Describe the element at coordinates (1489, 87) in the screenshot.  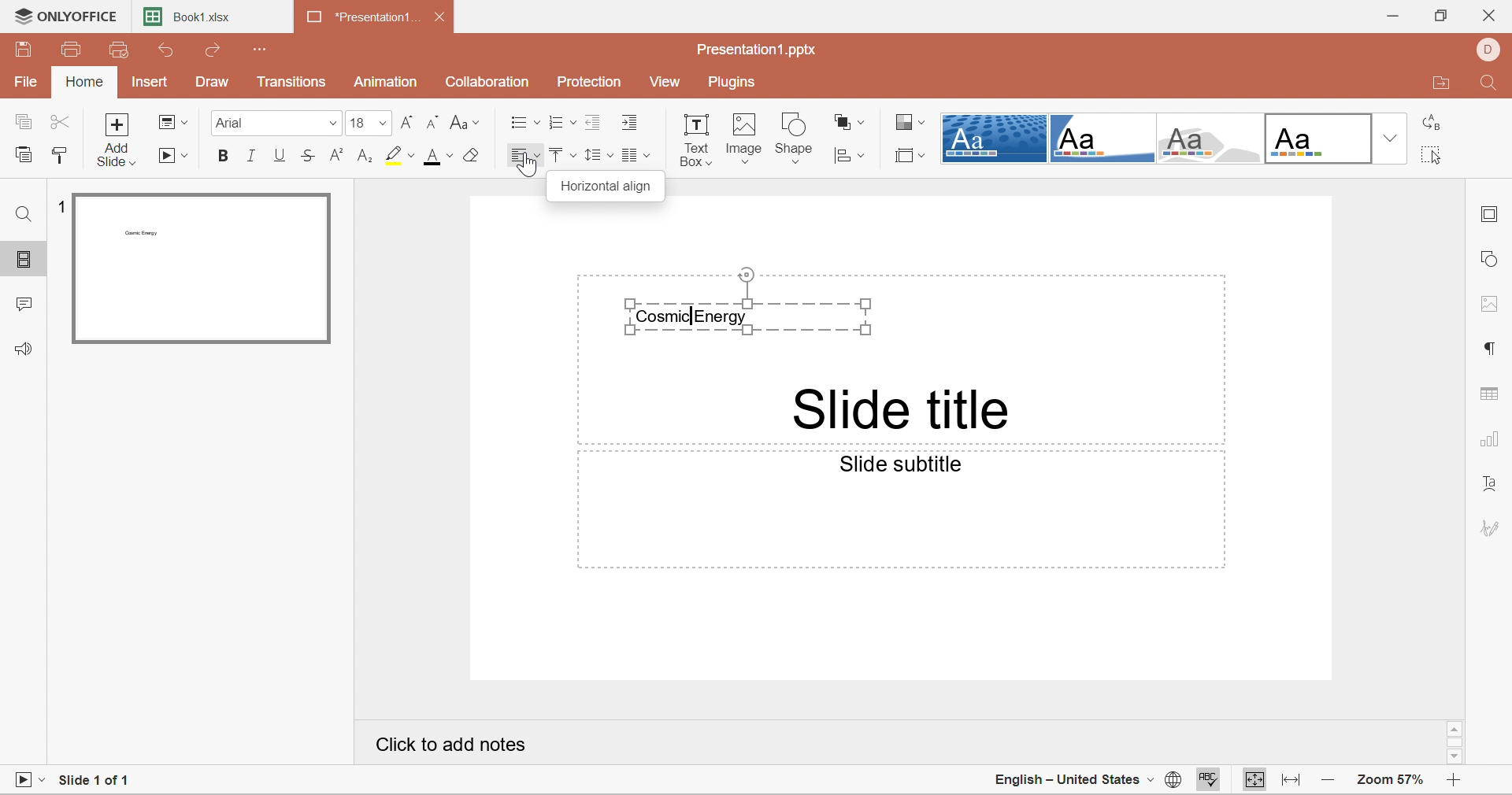
I see `Find` at that location.